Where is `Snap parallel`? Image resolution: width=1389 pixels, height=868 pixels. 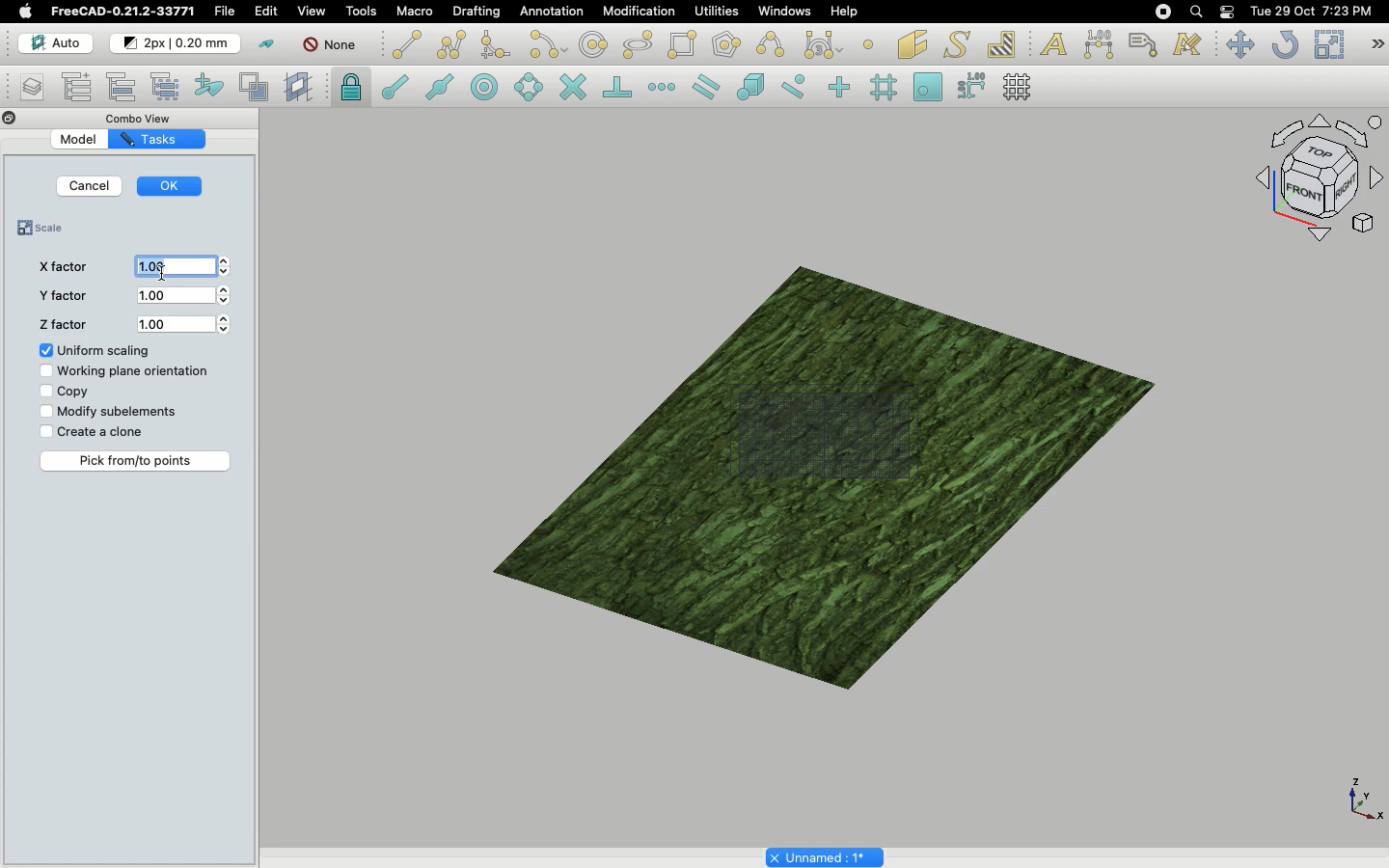
Snap parallel is located at coordinates (704, 87).